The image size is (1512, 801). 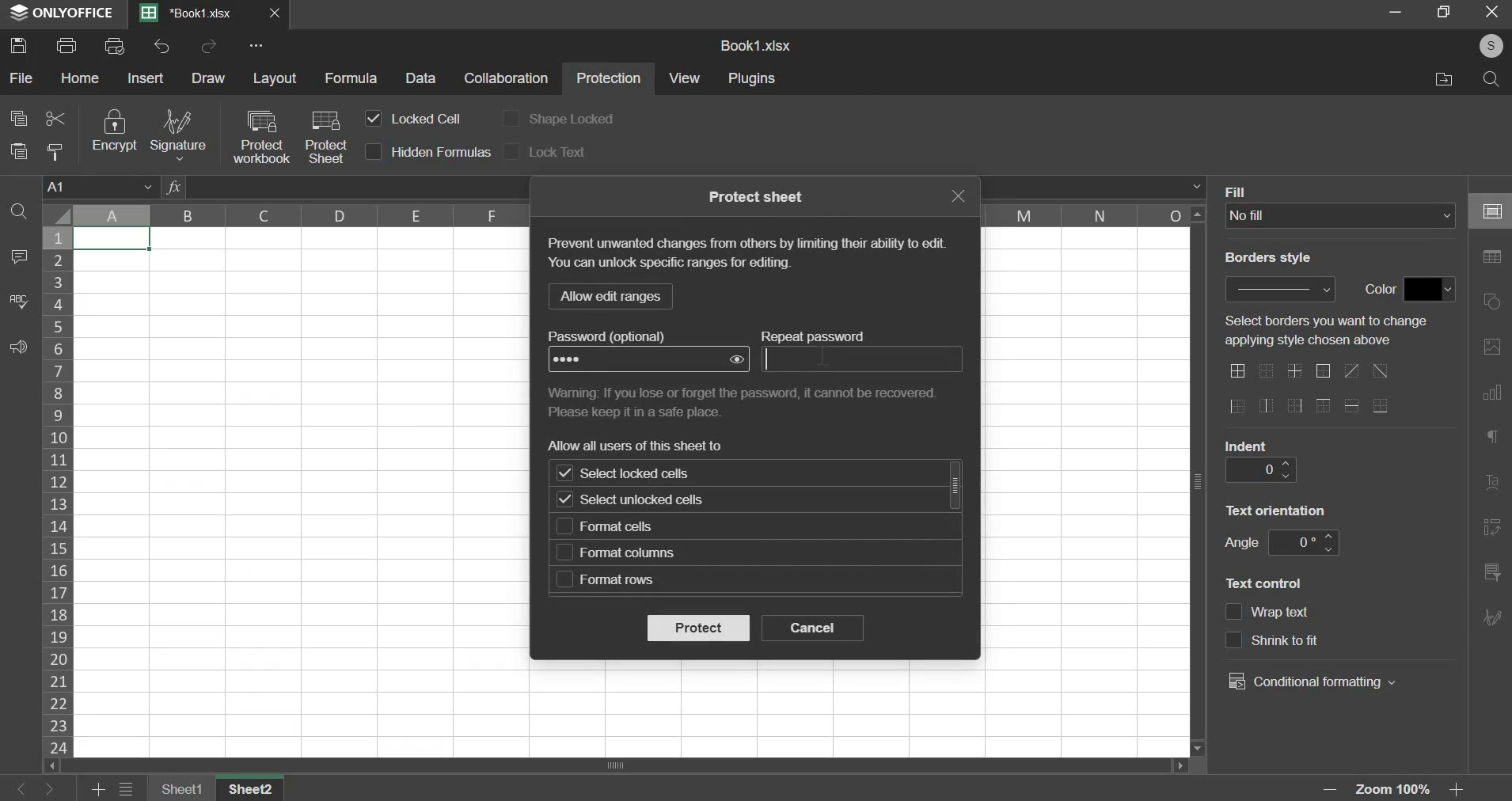 What do you see at coordinates (650, 473) in the screenshot?
I see `select locked cells` at bounding box center [650, 473].